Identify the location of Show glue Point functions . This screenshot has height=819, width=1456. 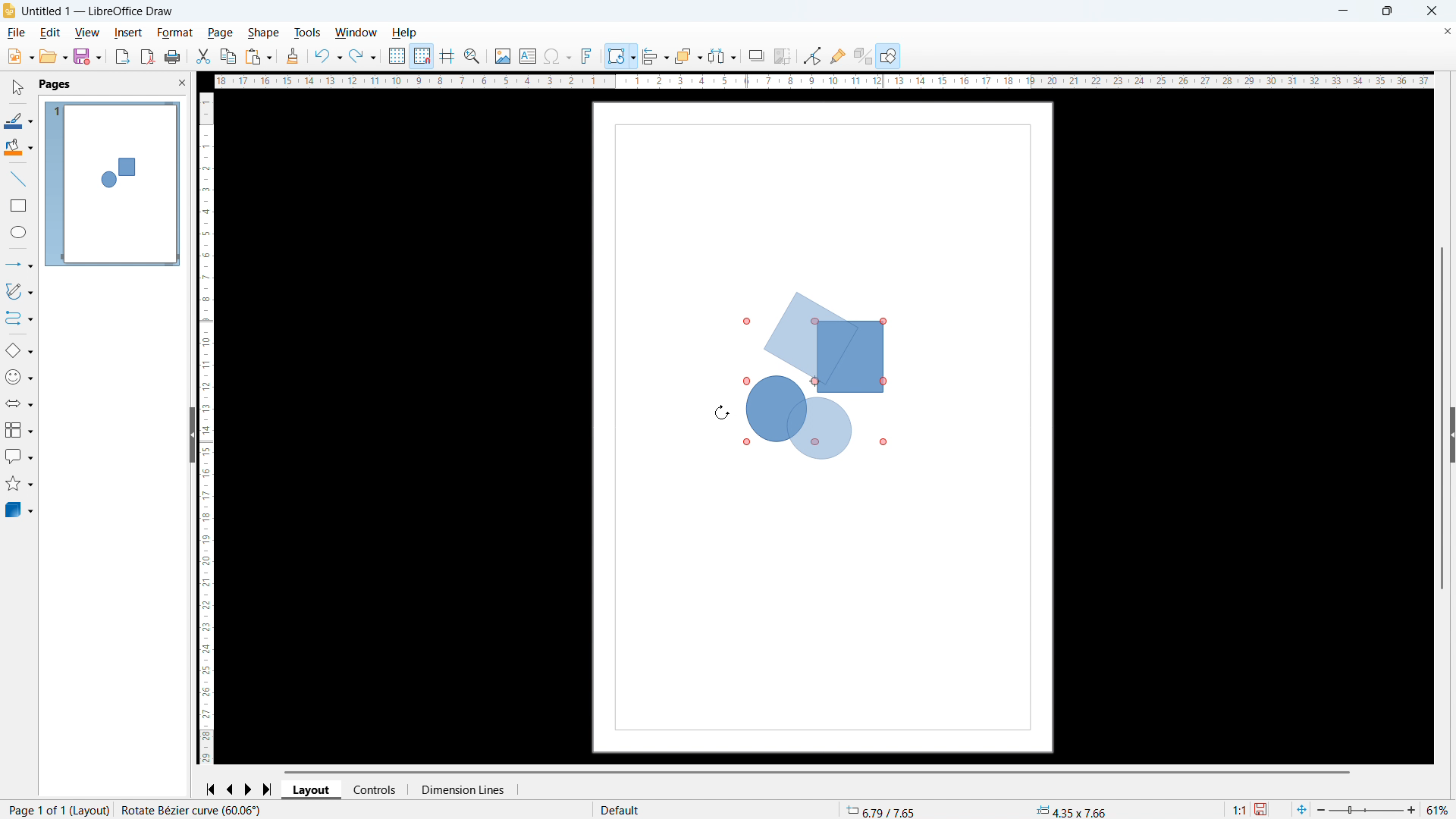
(839, 55).